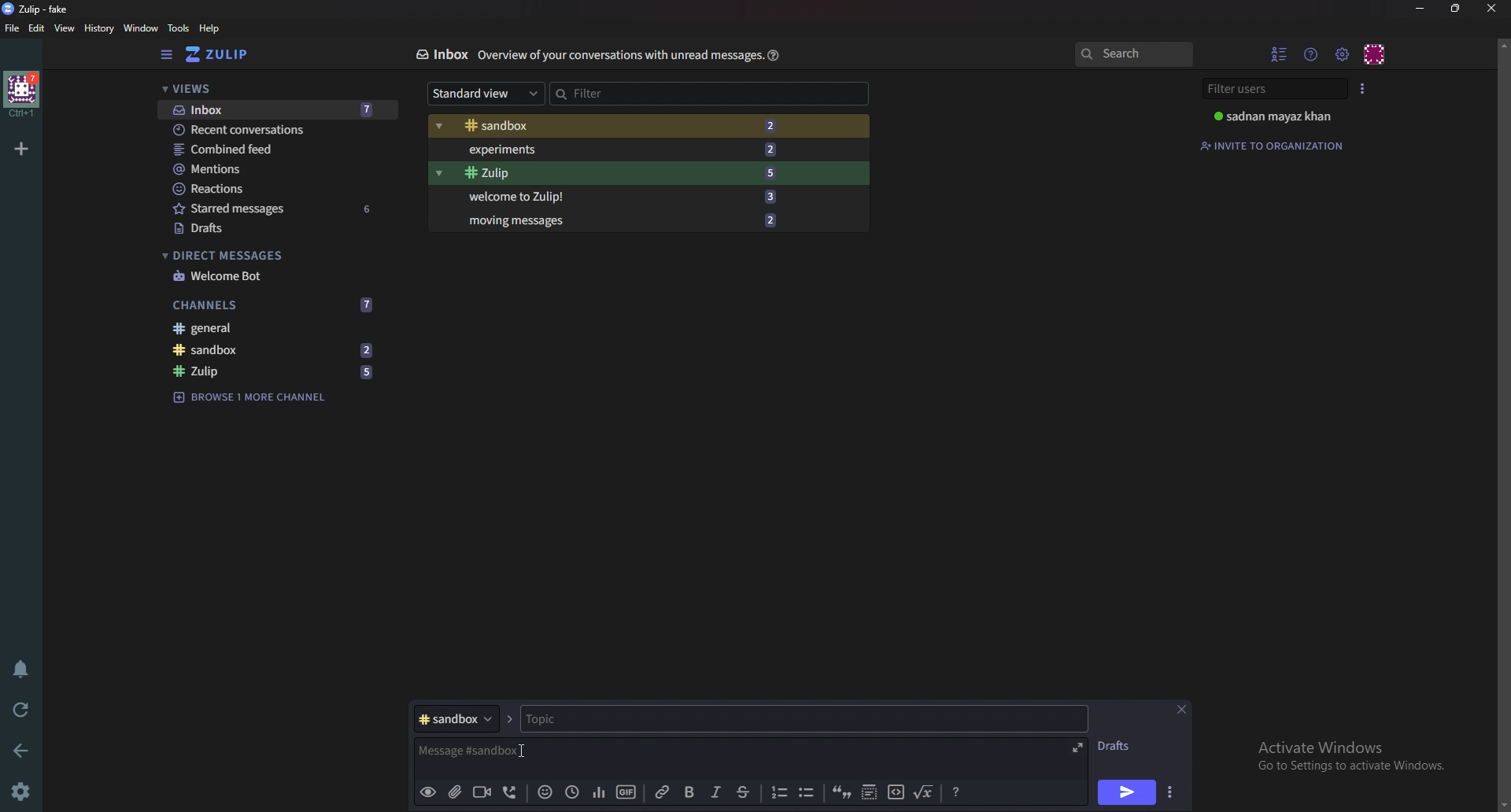 This screenshot has height=812, width=1511. What do you see at coordinates (622, 126) in the screenshot?
I see `Sandbox` at bounding box center [622, 126].